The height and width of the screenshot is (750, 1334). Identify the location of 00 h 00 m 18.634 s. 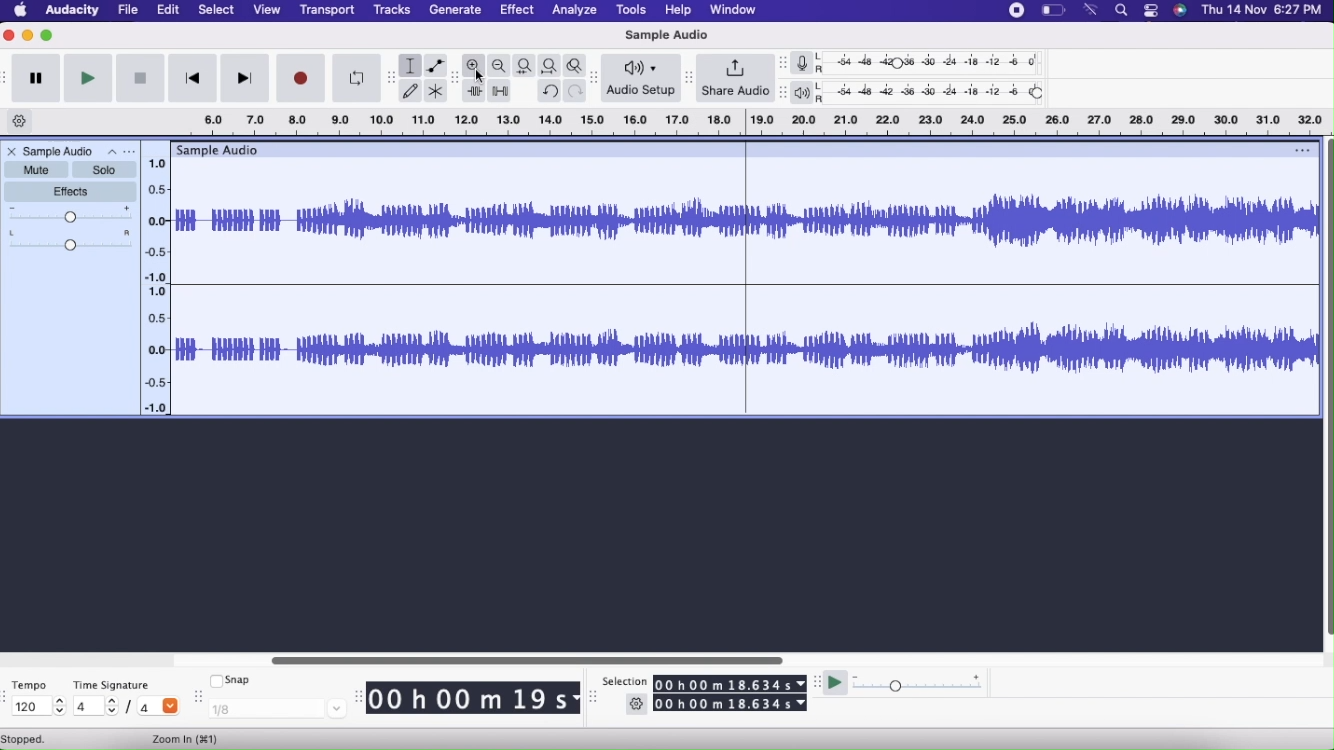
(732, 683).